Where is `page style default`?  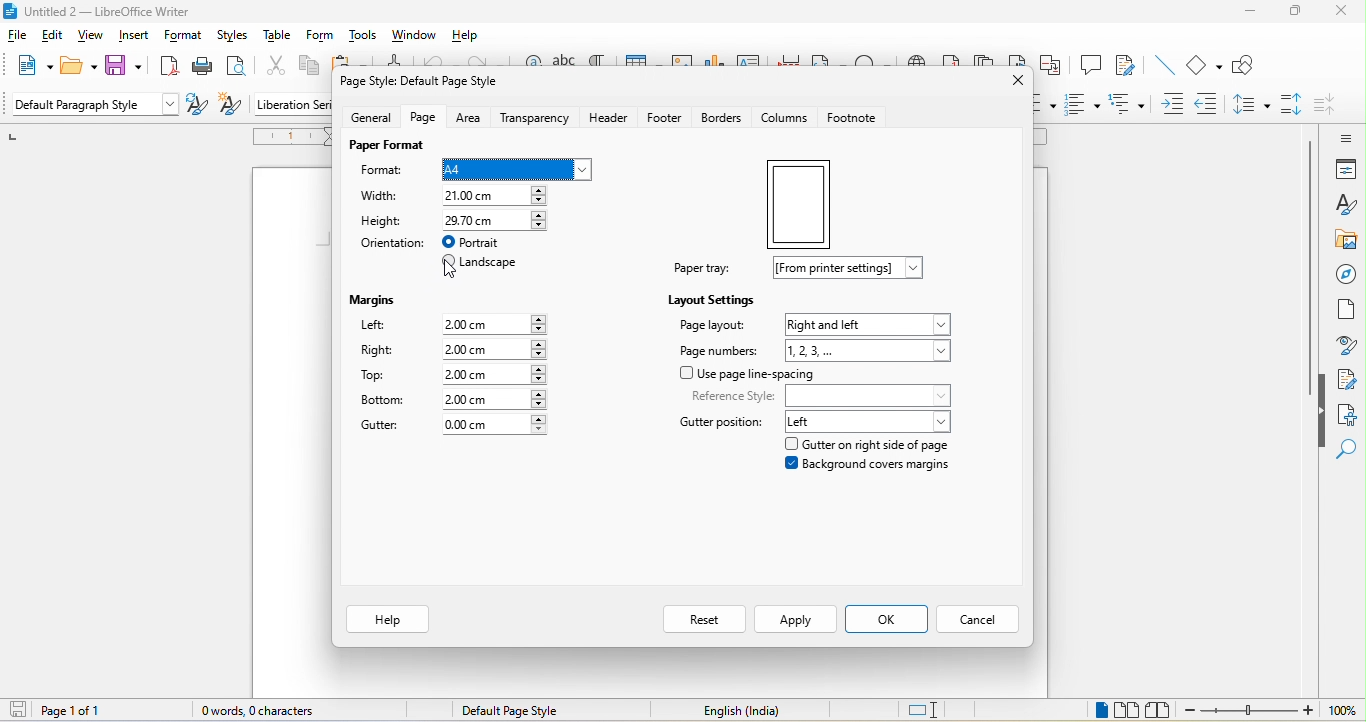
page style default is located at coordinates (426, 79).